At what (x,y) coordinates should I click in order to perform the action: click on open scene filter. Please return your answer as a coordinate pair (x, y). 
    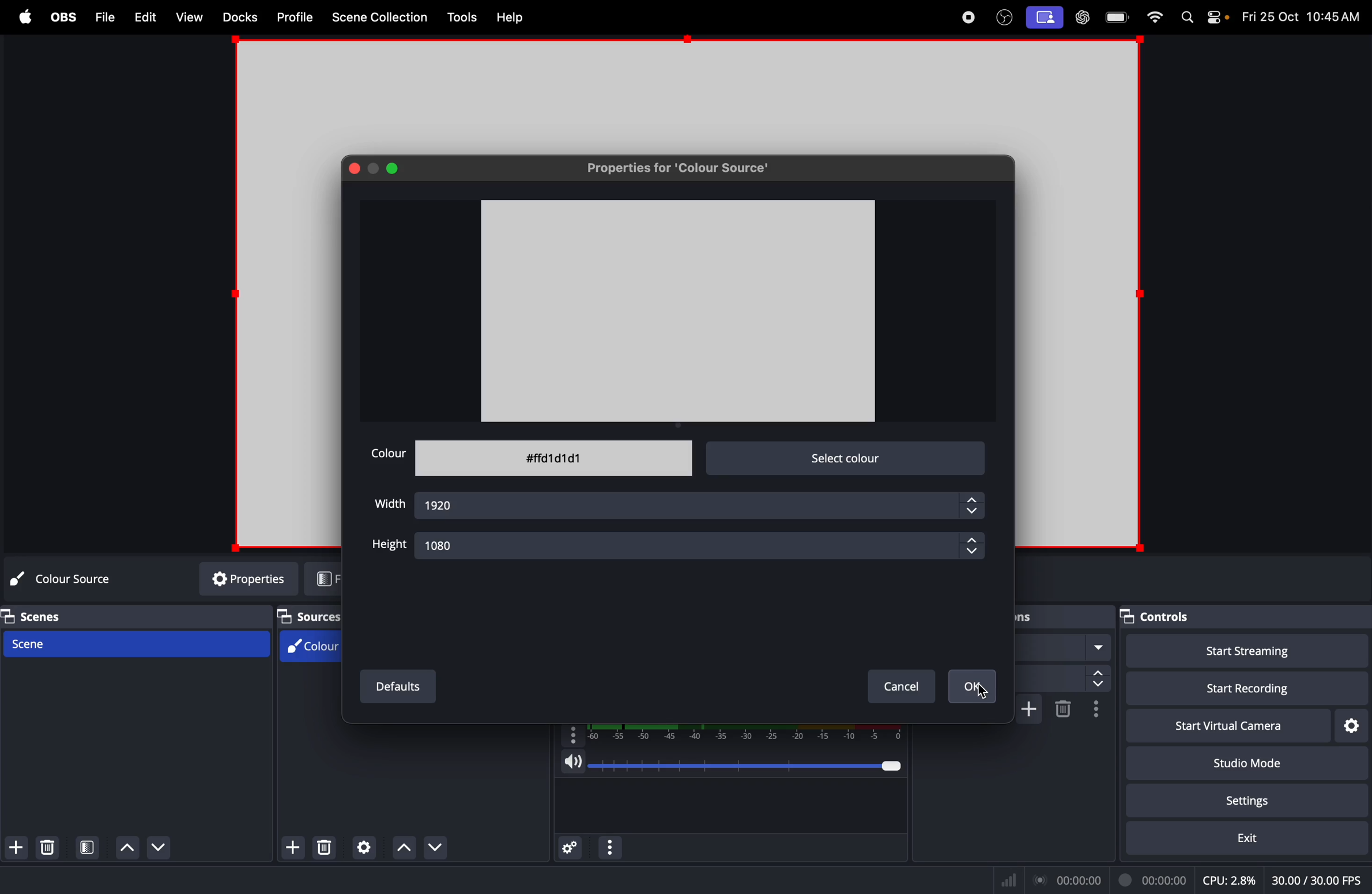
    Looking at the image, I should click on (89, 847).